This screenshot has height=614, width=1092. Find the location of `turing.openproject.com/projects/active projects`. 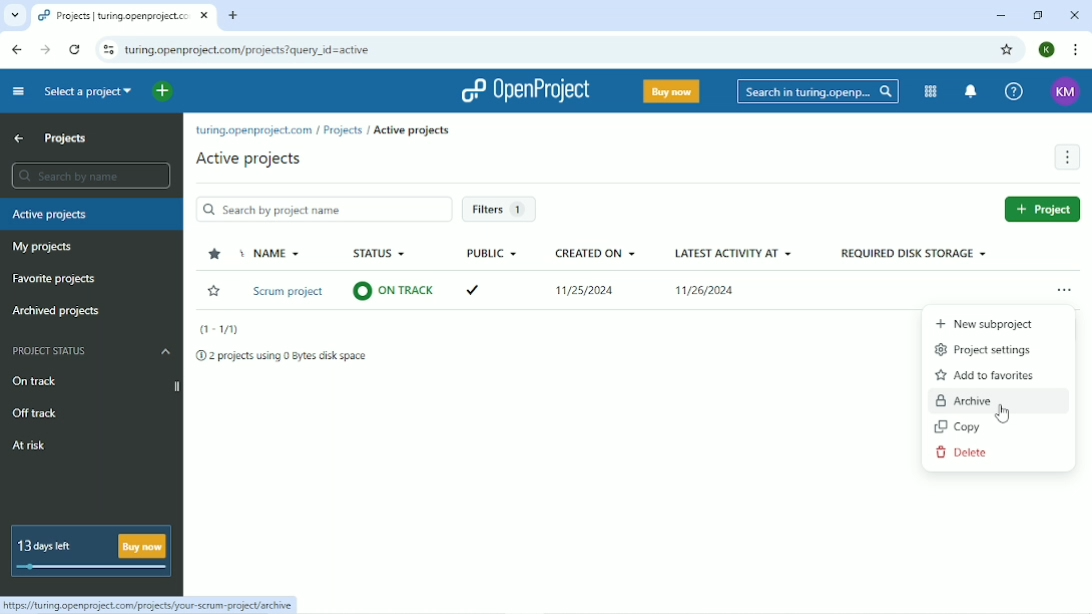

turing.openproject.com/projects/active projects is located at coordinates (329, 129).